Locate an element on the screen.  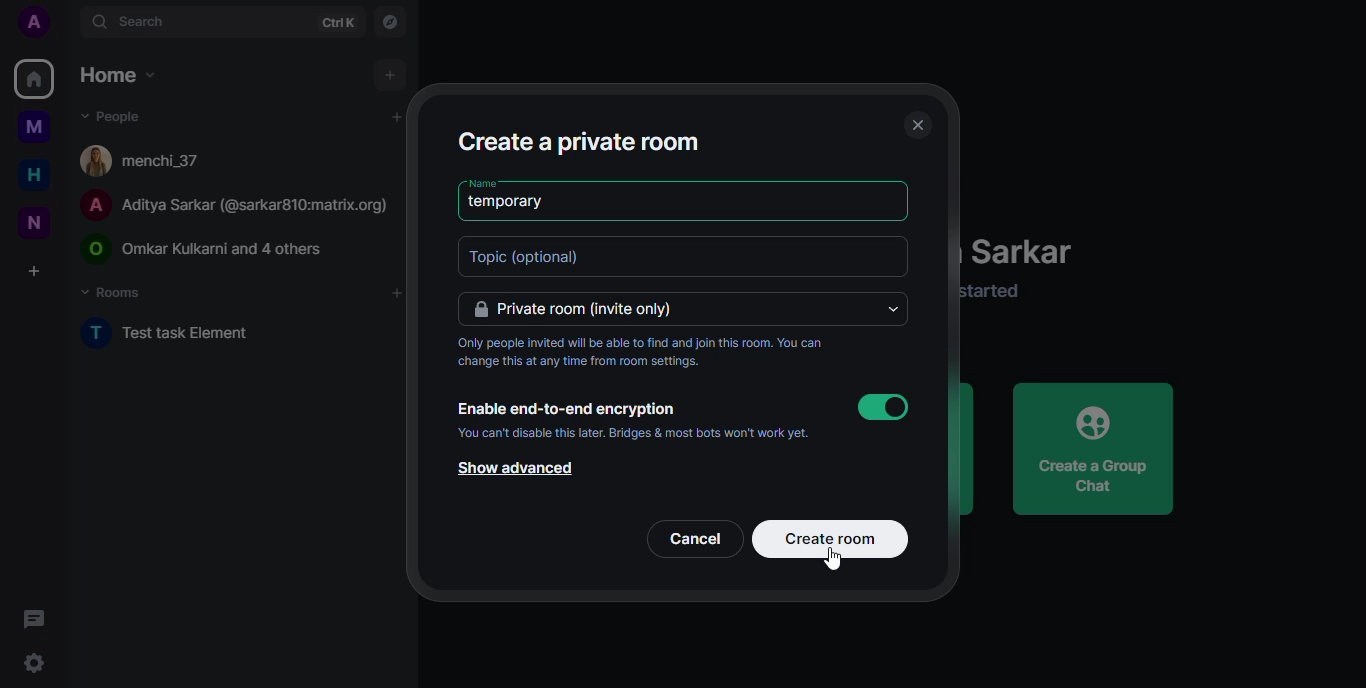
create a private room is located at coordinates (580, 143).